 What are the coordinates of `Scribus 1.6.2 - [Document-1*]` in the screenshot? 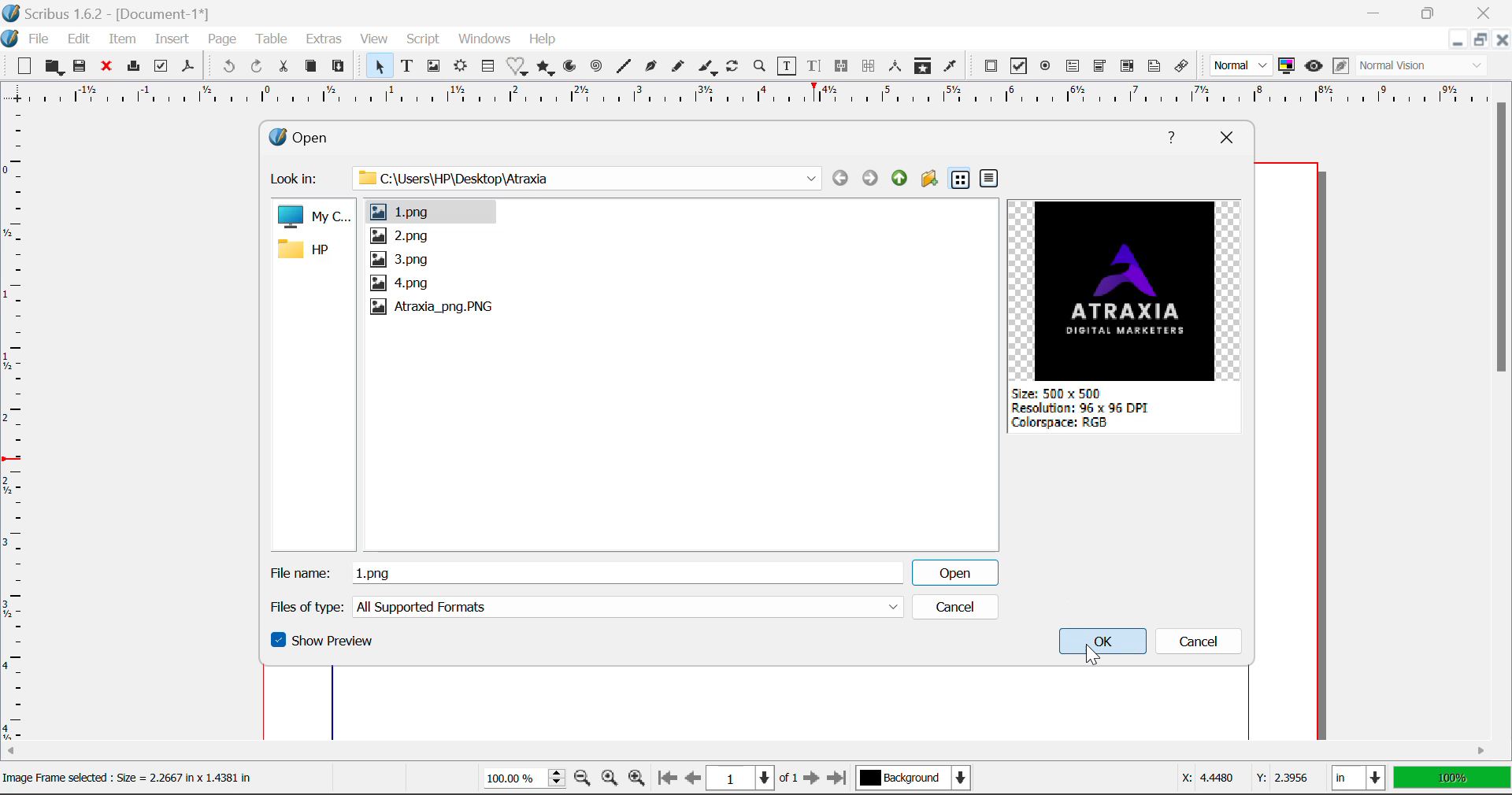 It's located at (113, 14).